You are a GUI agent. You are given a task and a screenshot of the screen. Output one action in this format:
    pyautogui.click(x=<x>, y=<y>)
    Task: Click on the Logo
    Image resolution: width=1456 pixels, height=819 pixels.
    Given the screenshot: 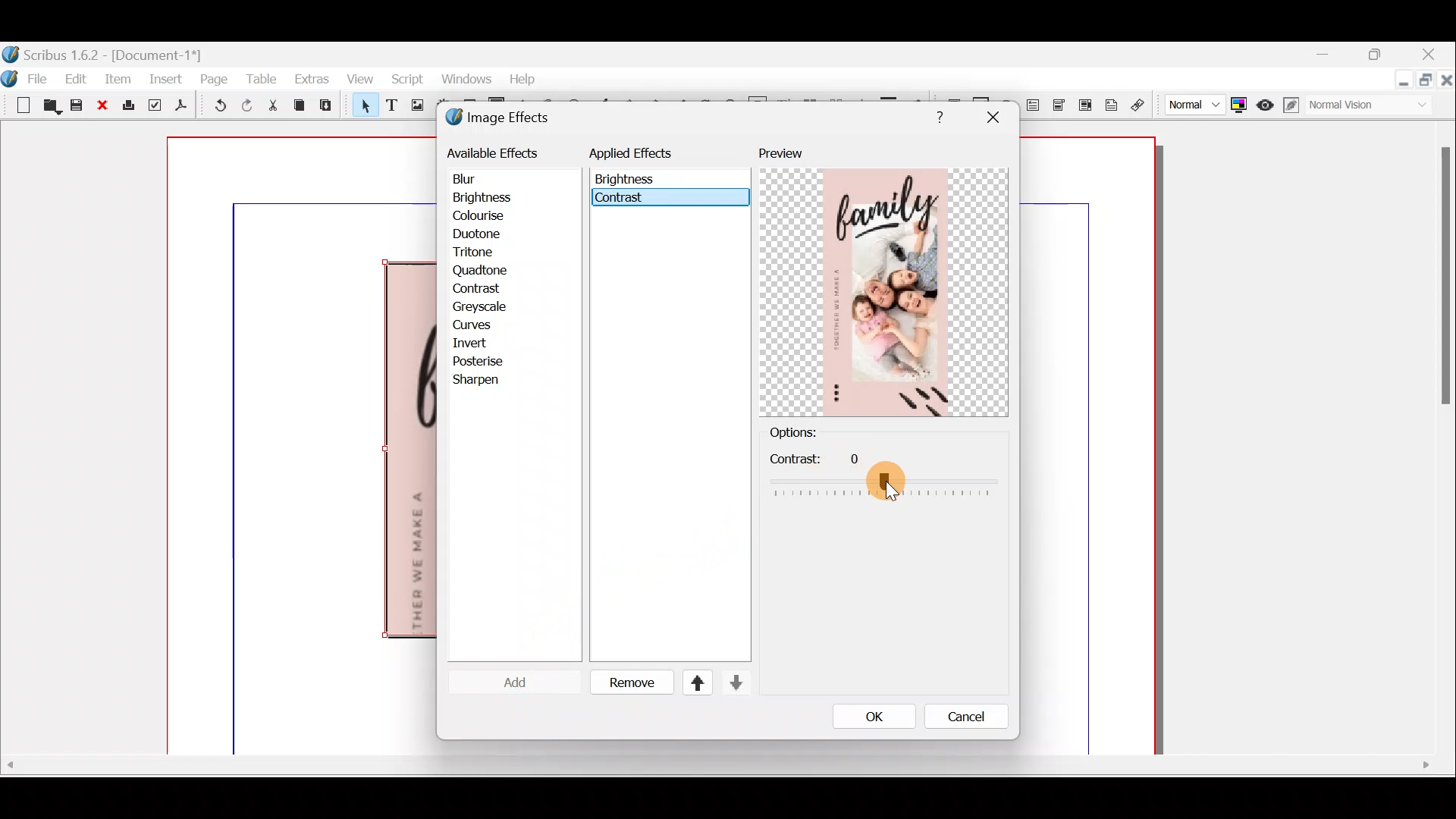 What is the action you would take?
    pyautogui.click(x=9, y=77)
    